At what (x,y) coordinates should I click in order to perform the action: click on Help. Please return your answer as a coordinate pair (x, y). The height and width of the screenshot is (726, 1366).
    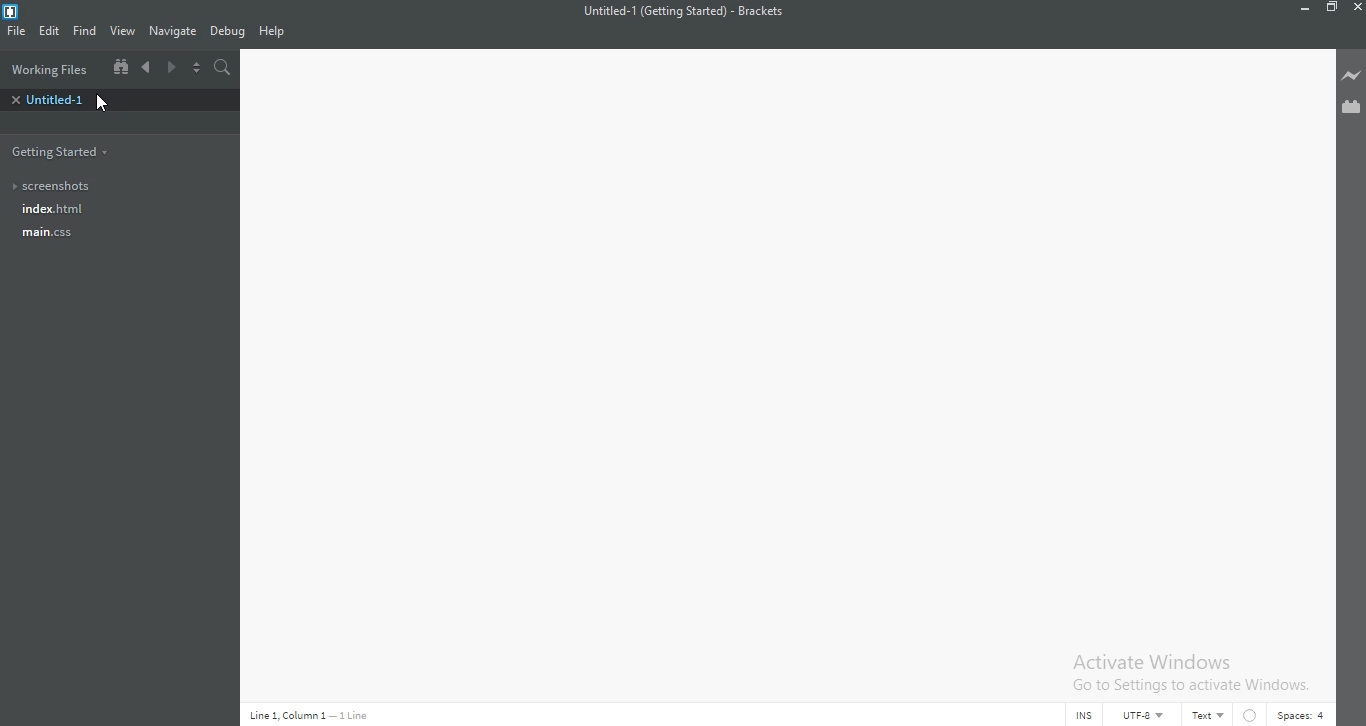
    Looking at the image, I should click on (275, 33).